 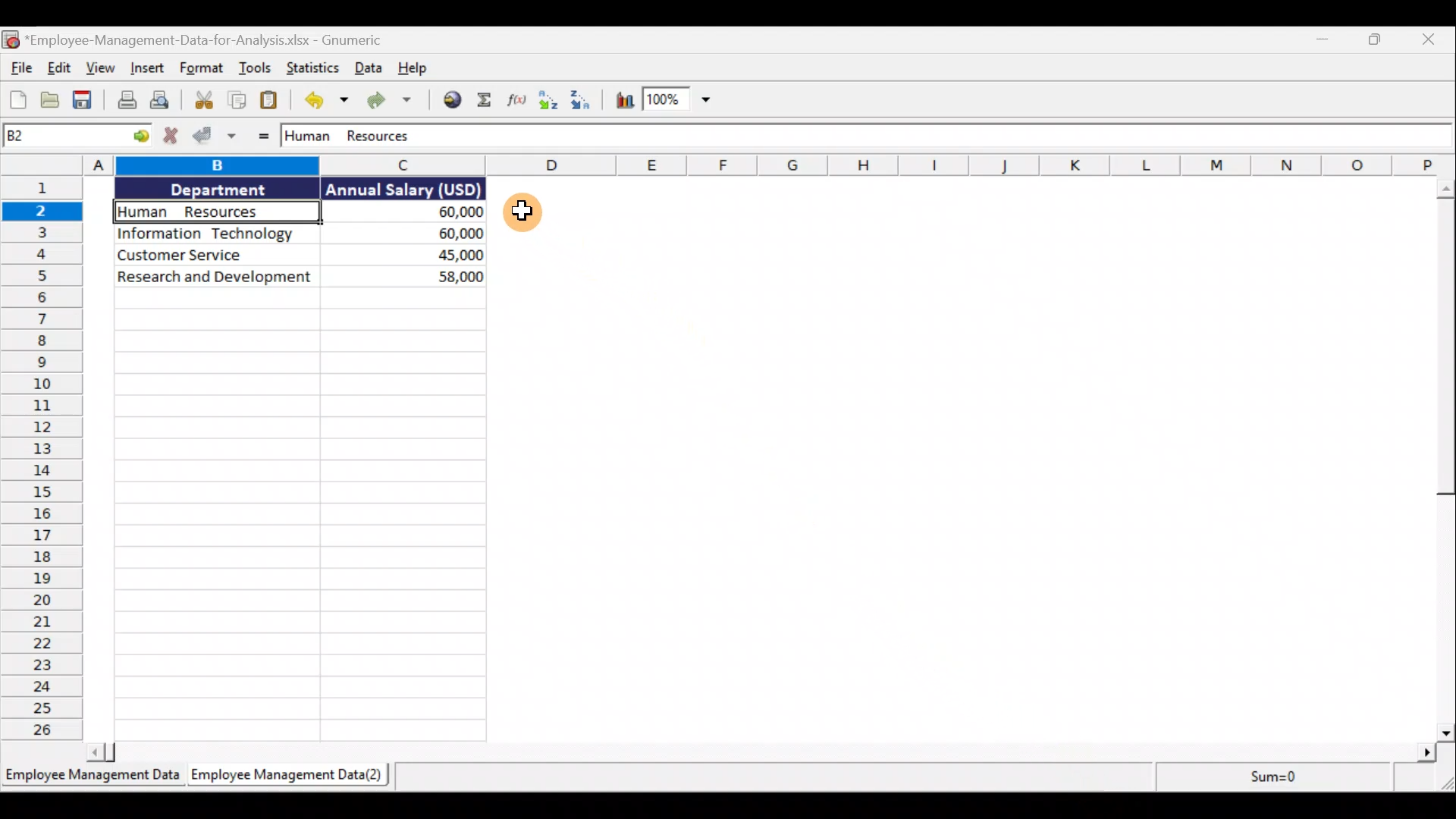 I want to click on Format, so click(x=201, y=68).